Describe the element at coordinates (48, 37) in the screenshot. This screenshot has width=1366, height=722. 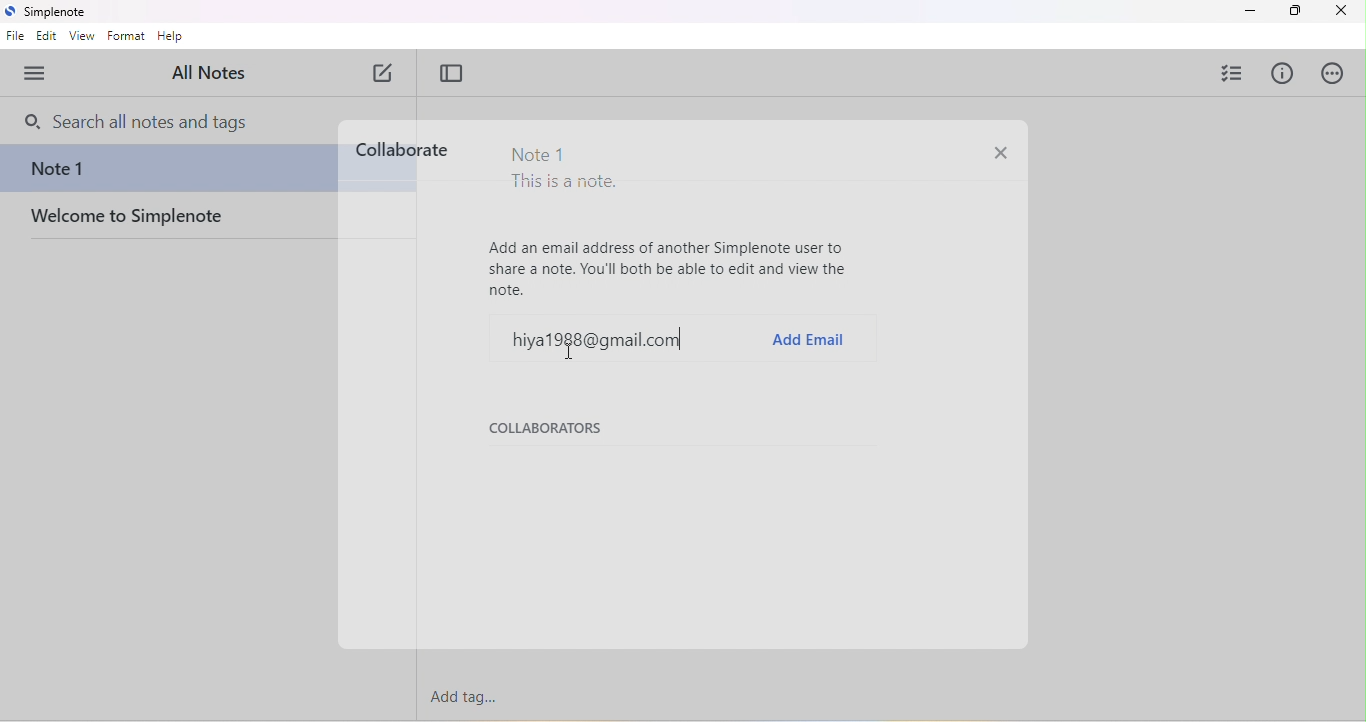
I see `edit` at that location.